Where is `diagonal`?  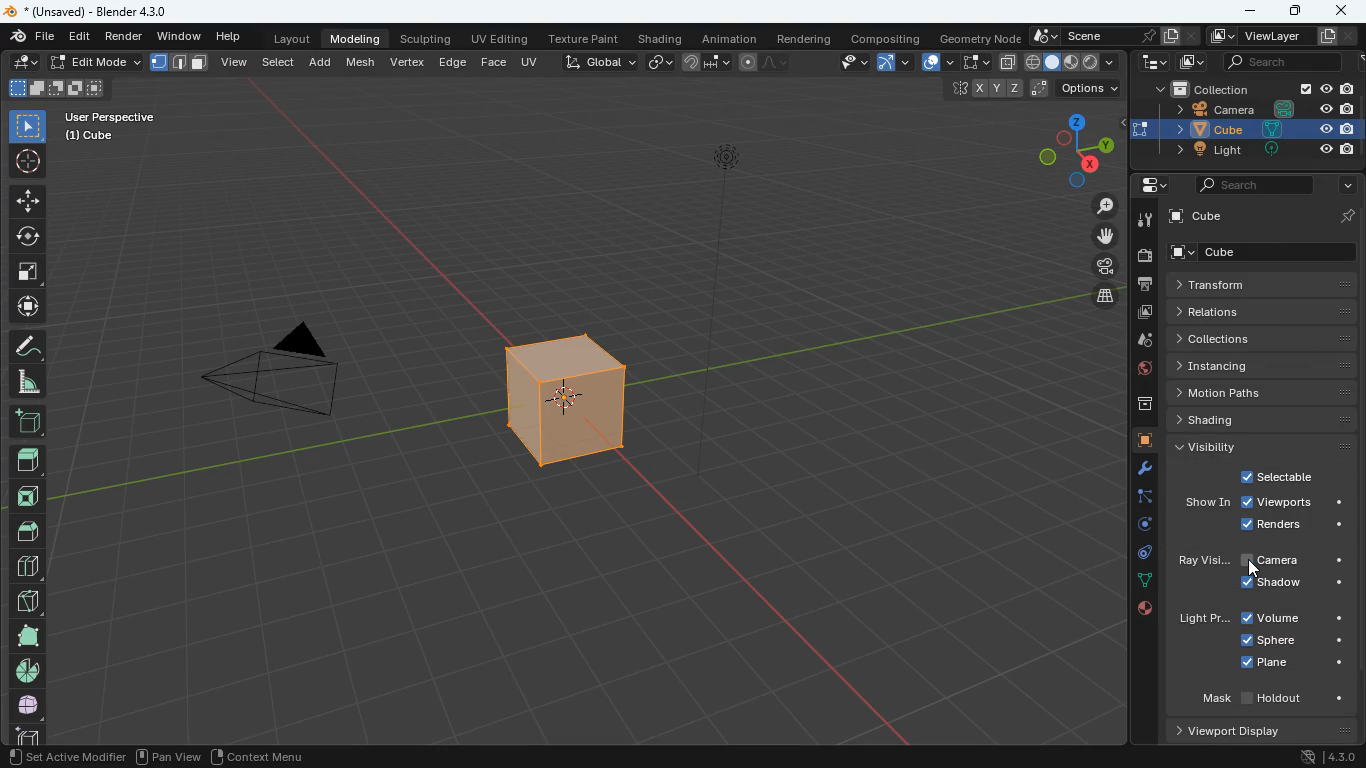
diagonal is located at coordinates (24, 602).